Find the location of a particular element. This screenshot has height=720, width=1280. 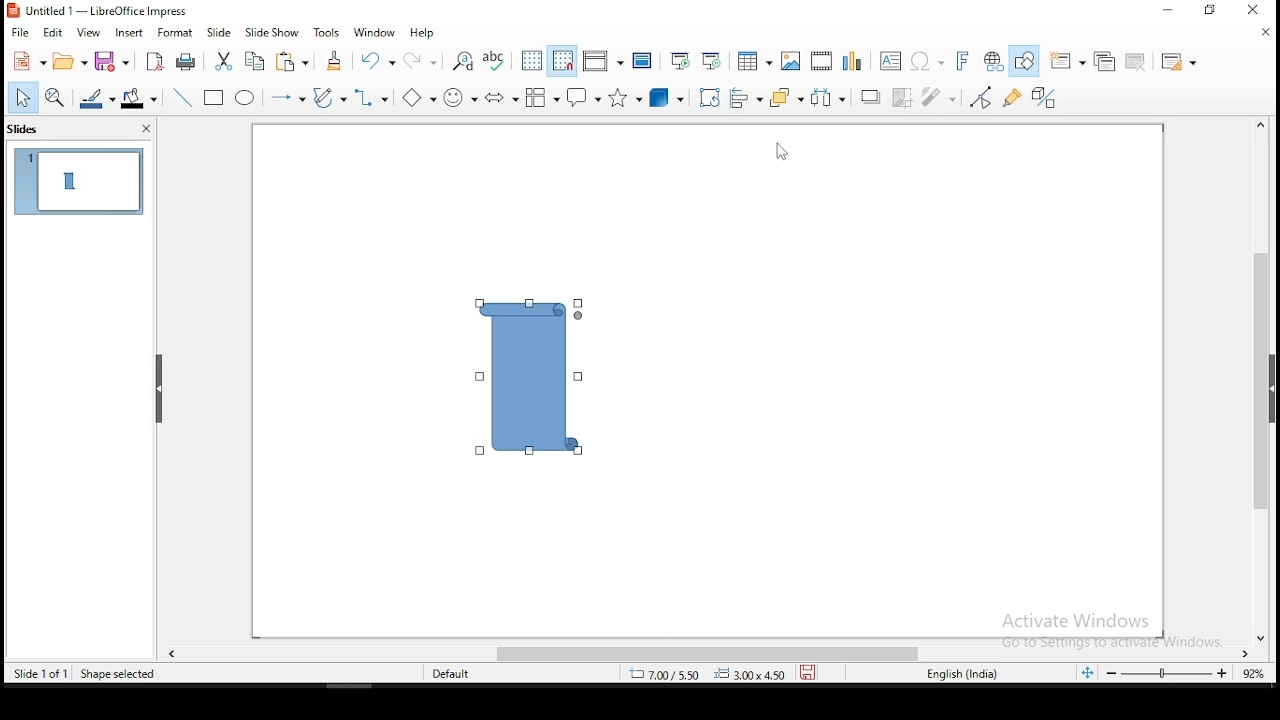

spell check is located at coordinates (497, 60).